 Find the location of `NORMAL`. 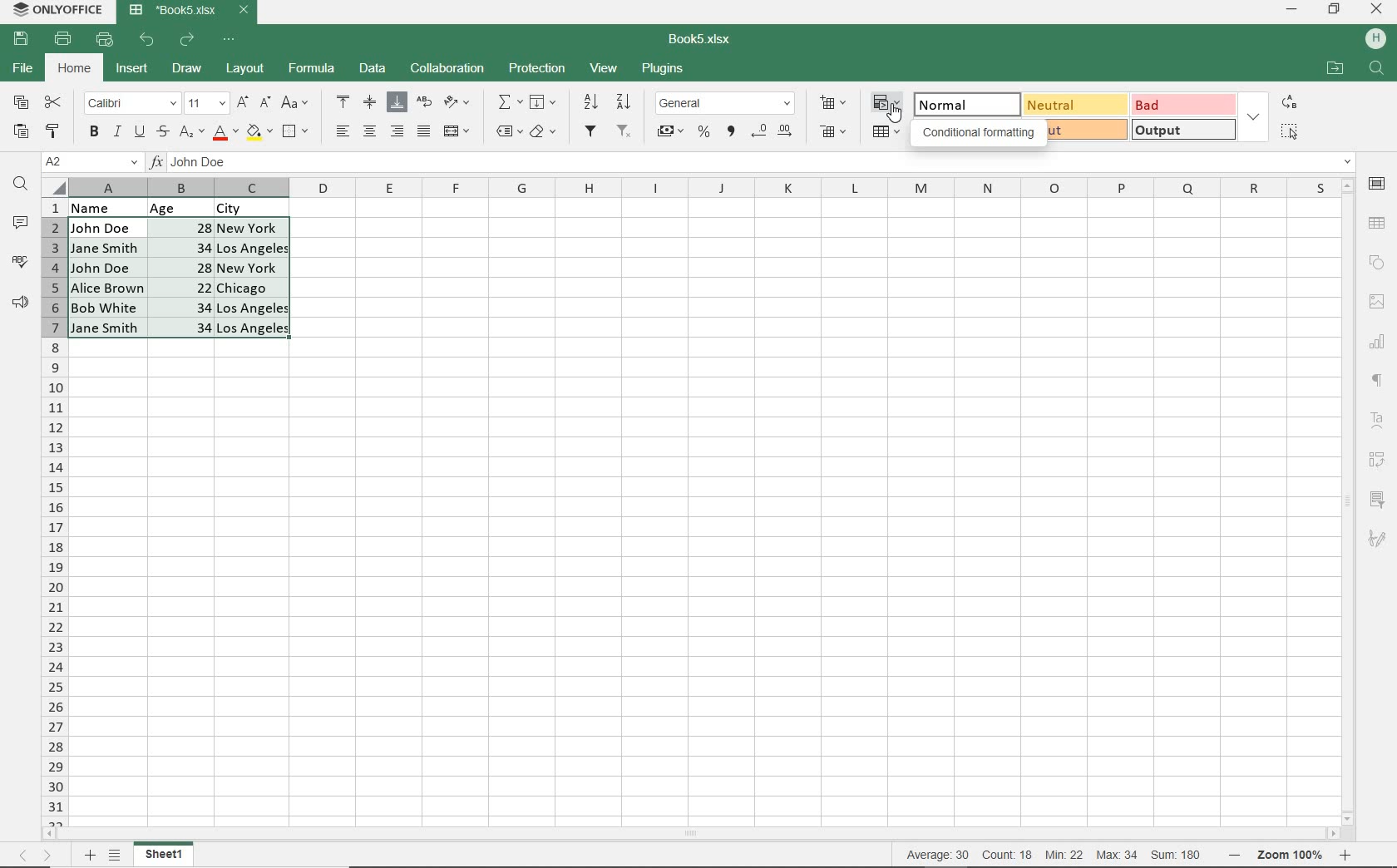

NORMAL is located at coordinates (959, 102).